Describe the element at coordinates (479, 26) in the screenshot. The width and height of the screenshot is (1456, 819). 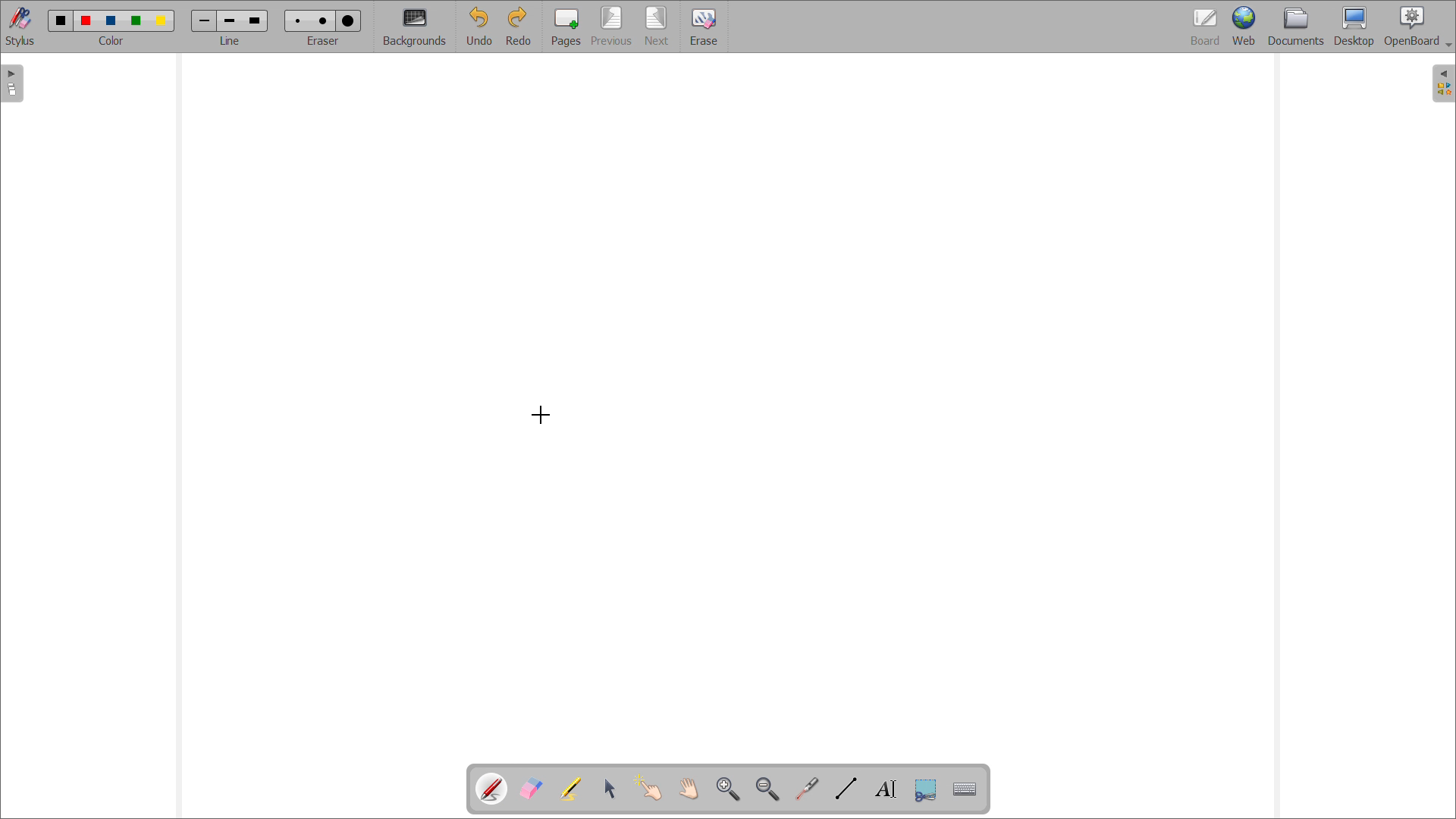
I see `undo` at that location.